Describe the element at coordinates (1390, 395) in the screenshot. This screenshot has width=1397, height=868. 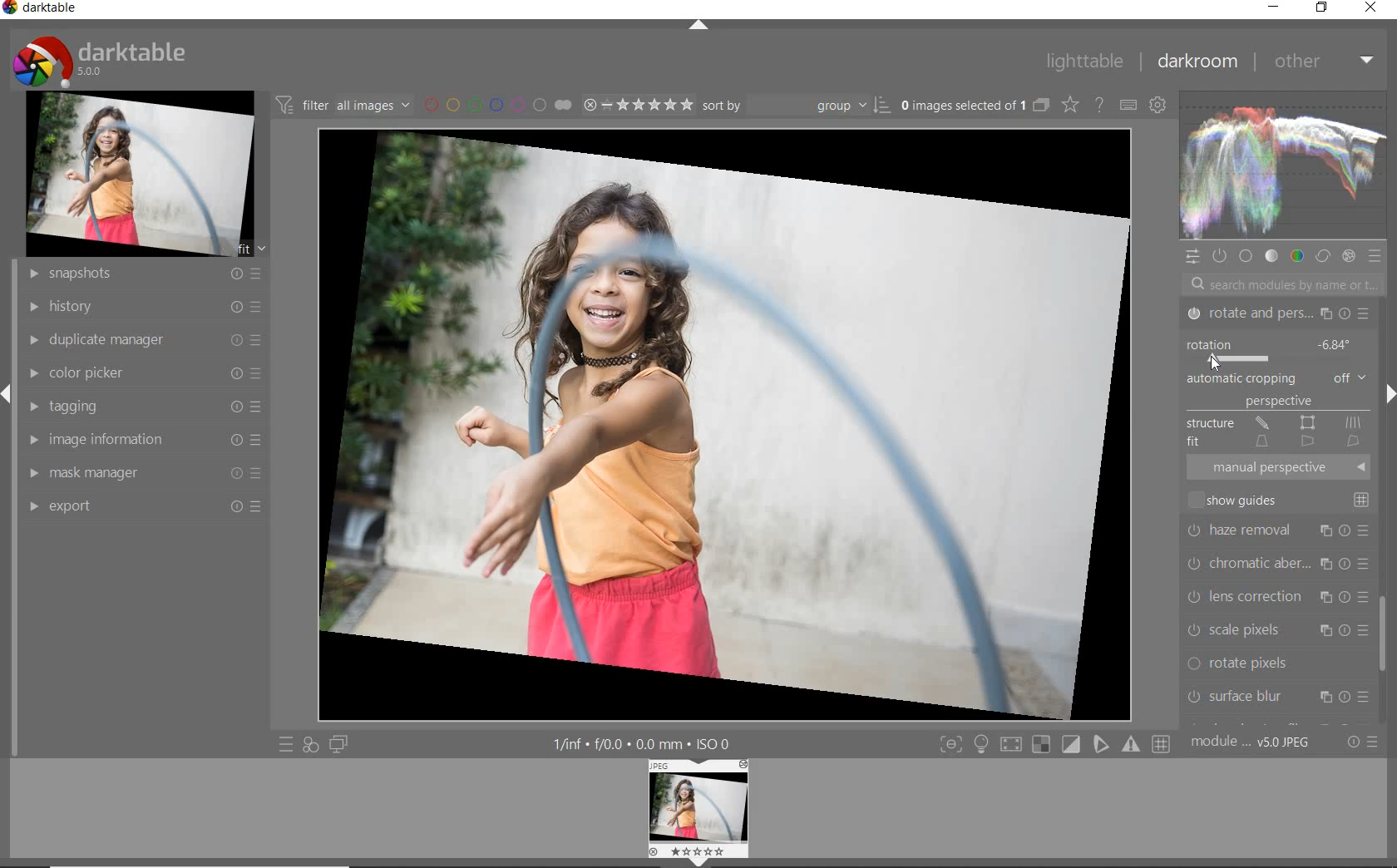
I see `expand/collapse` at that location.